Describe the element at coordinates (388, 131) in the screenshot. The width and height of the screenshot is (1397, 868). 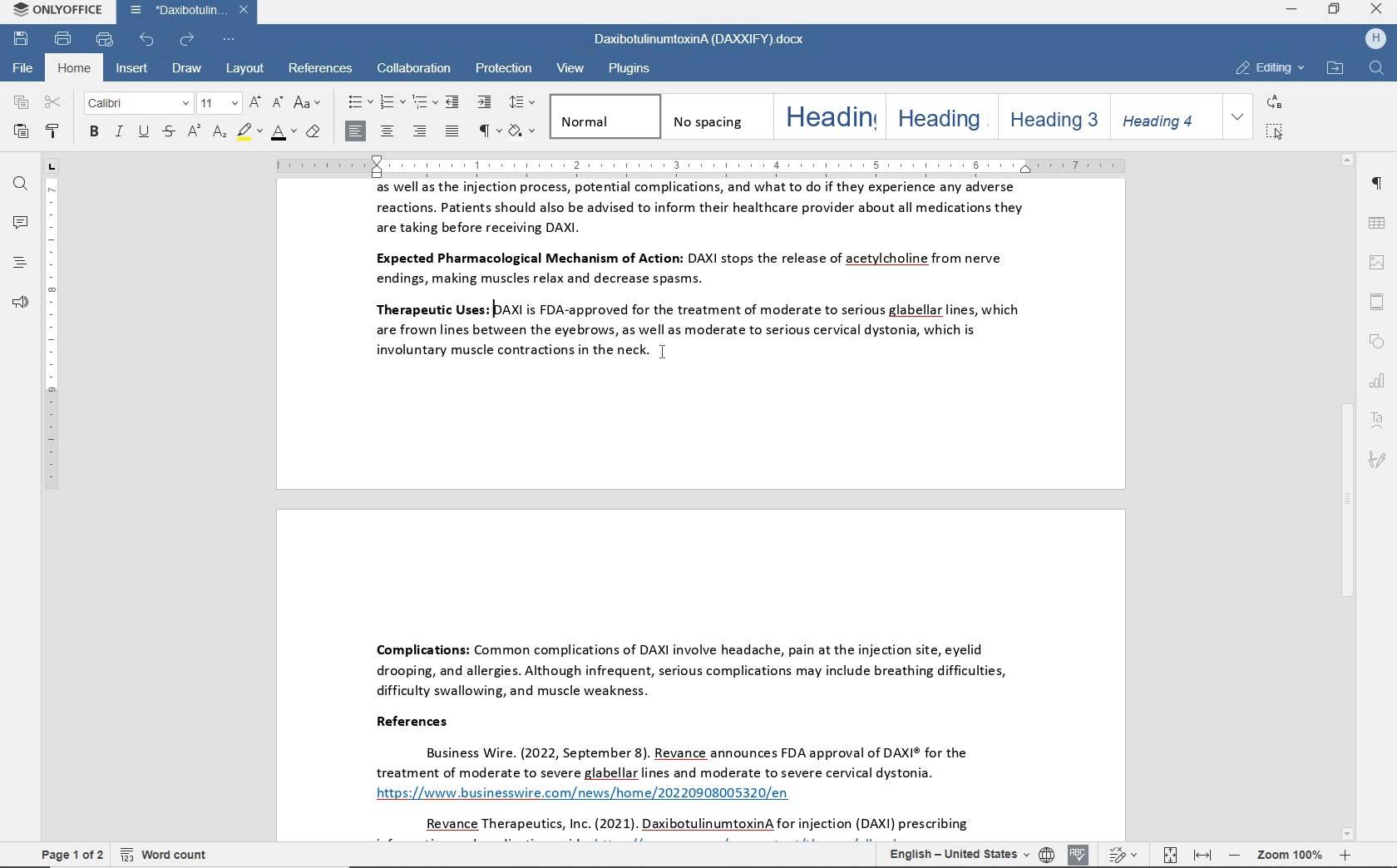
I see `align center` at that location.